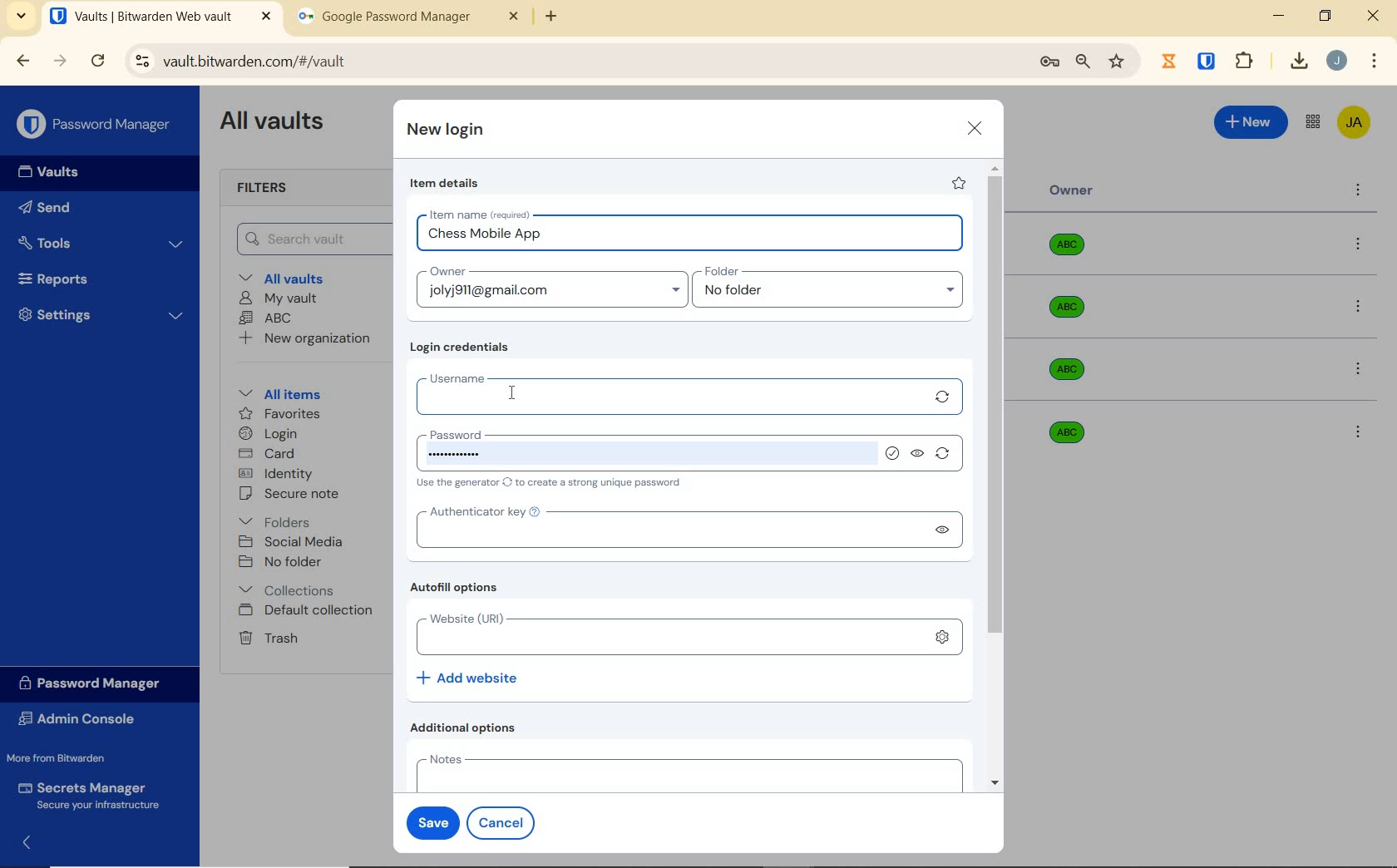 The image size is (1397, 868). I want to click on extensions, so click(1208, 60).